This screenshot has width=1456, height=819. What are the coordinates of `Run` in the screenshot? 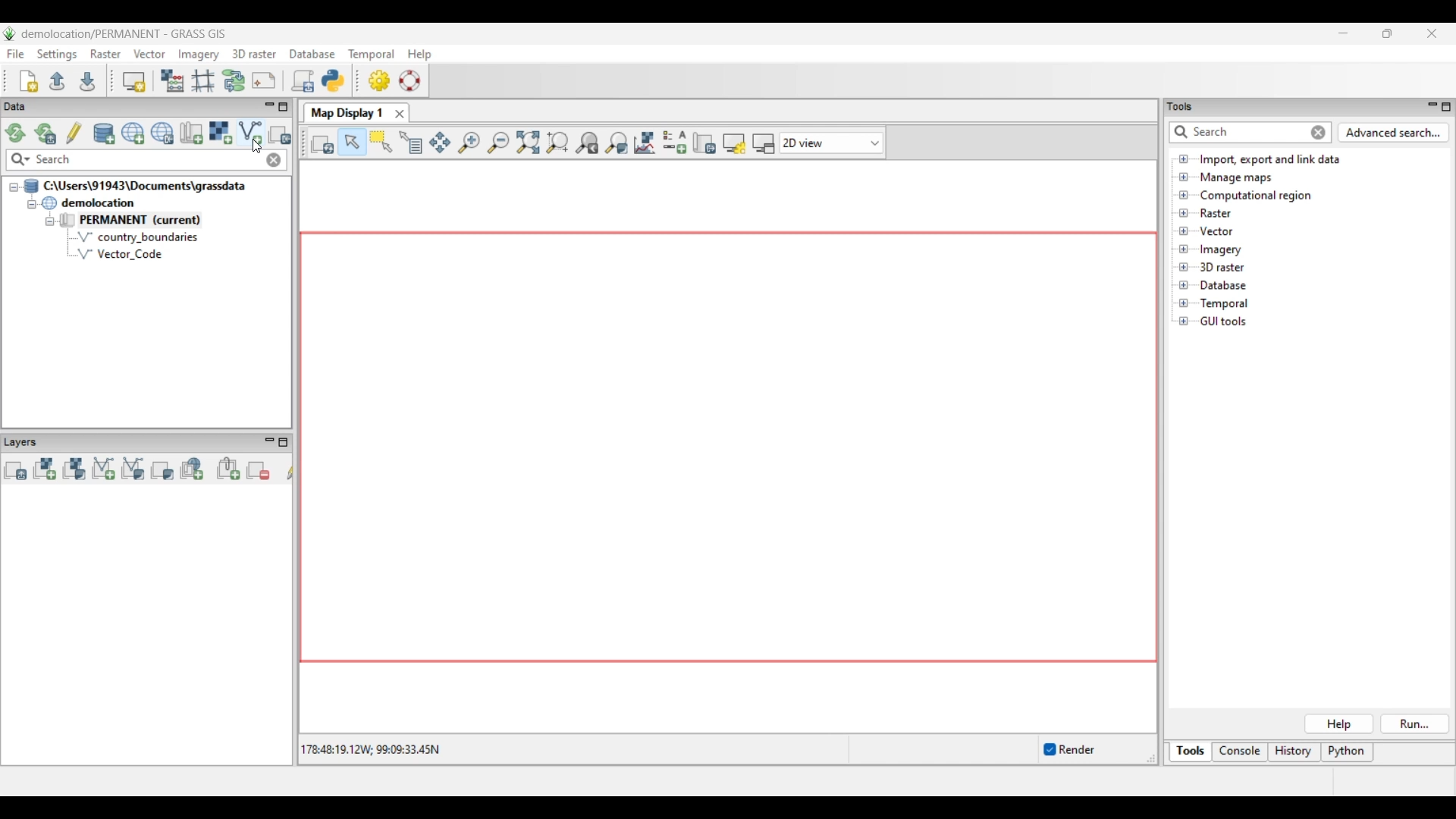 It's located at (1416, 724).